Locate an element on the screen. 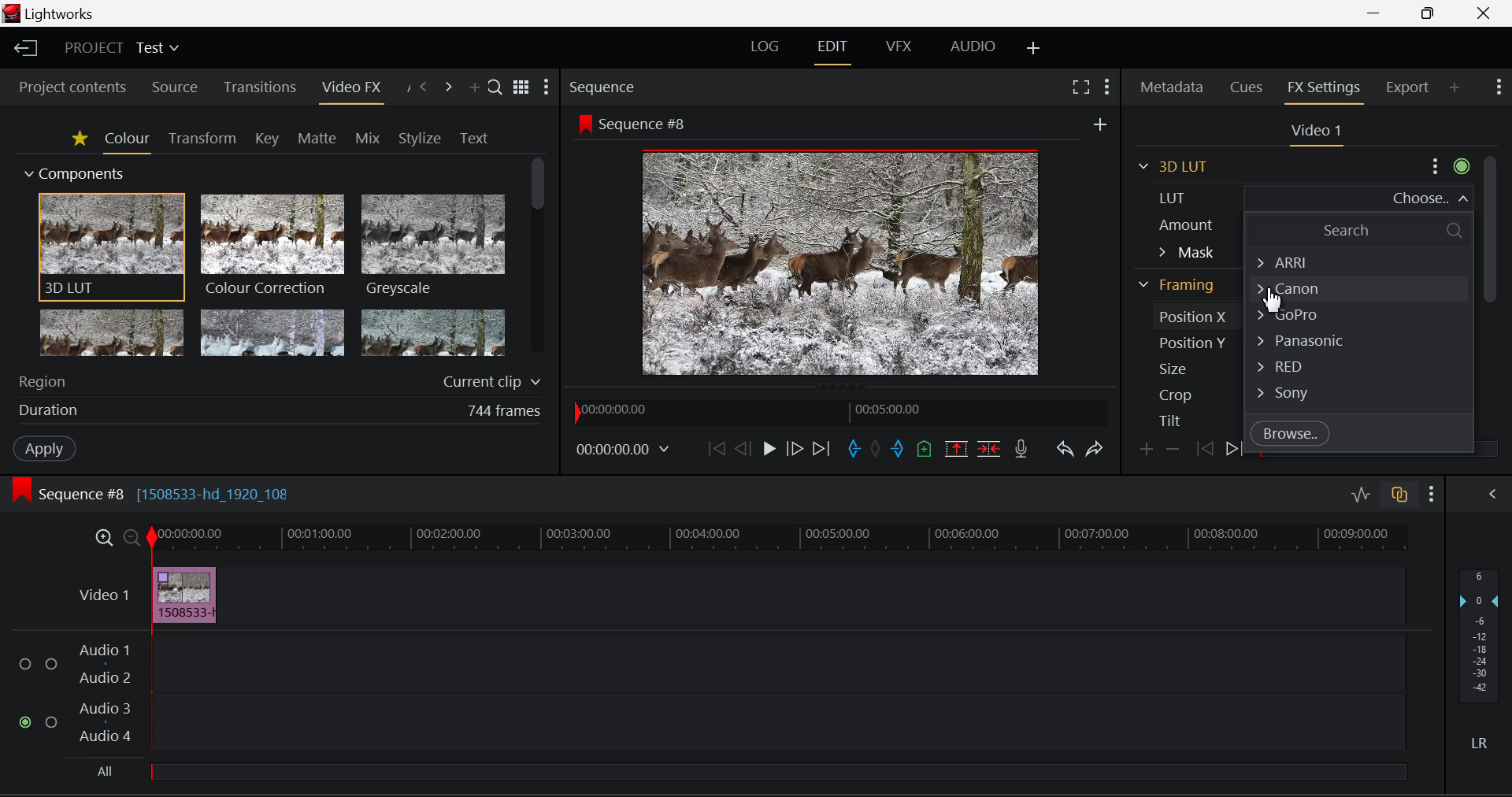 Image resolution: width=1512 pixels, height=797 pixels. Amount is located at coordinates (1189, 223).